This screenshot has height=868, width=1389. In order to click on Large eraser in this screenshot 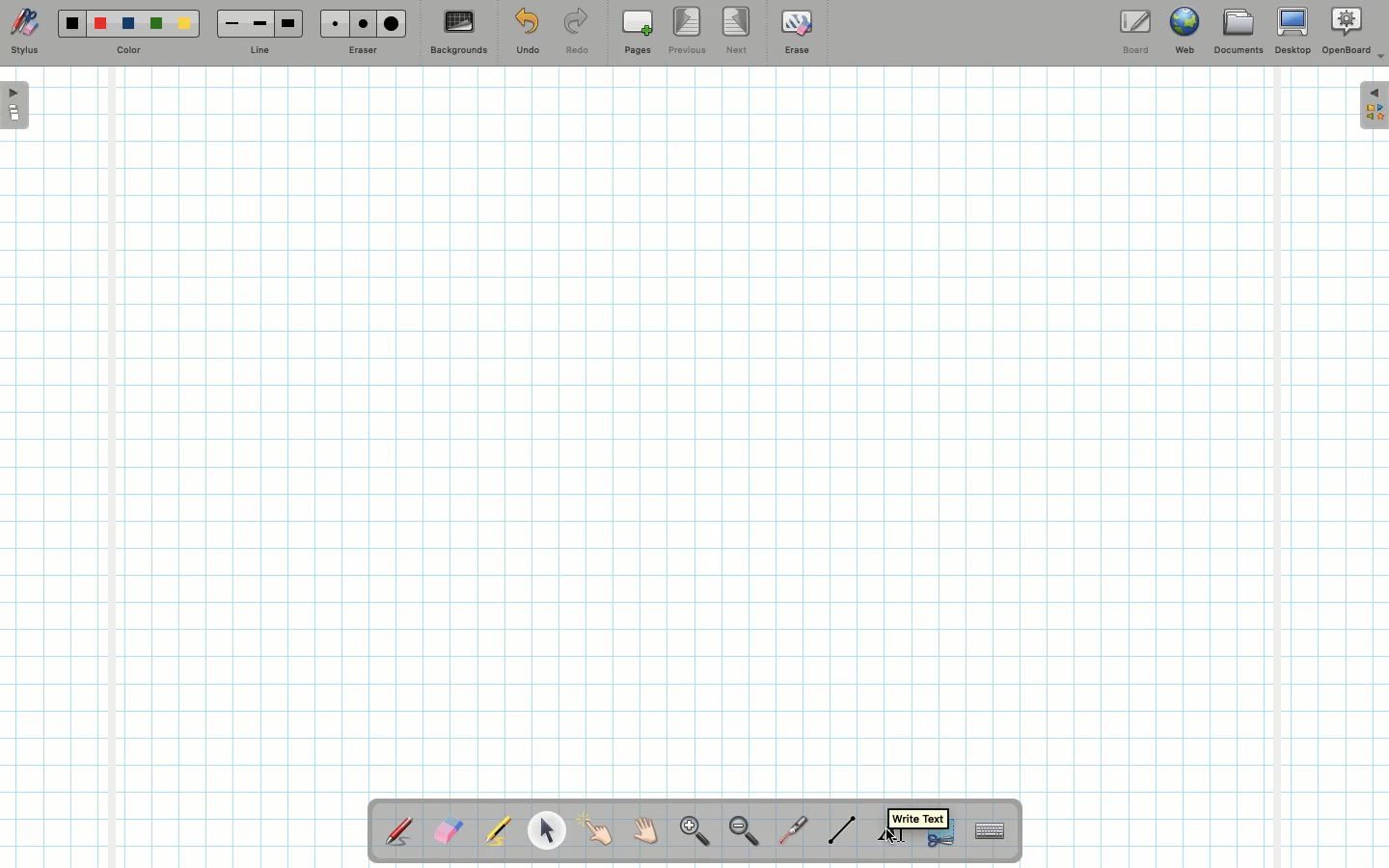, I will do `click(392, 23)`.